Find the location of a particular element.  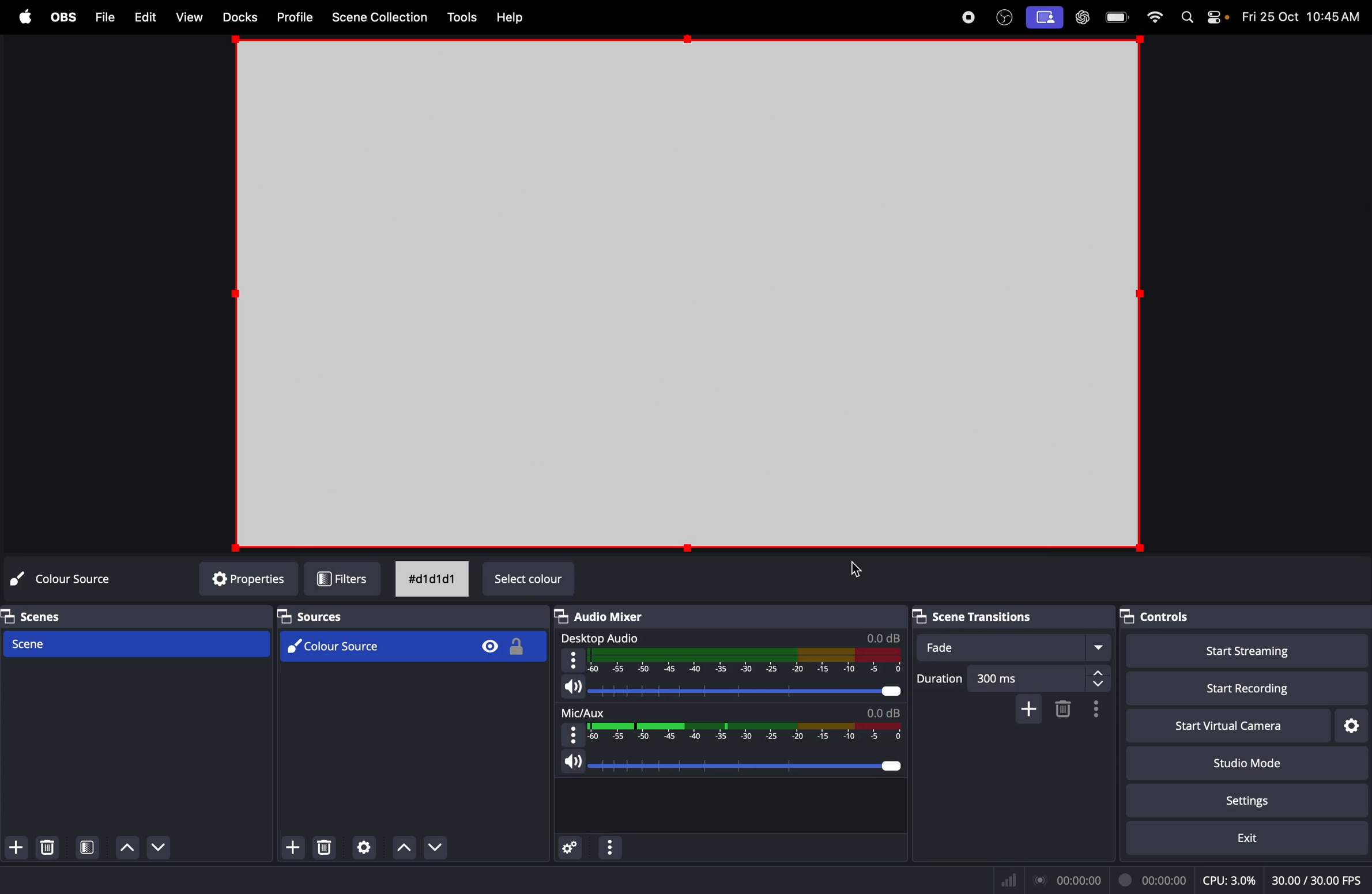

Signal is located at coordinates (1012, 880).